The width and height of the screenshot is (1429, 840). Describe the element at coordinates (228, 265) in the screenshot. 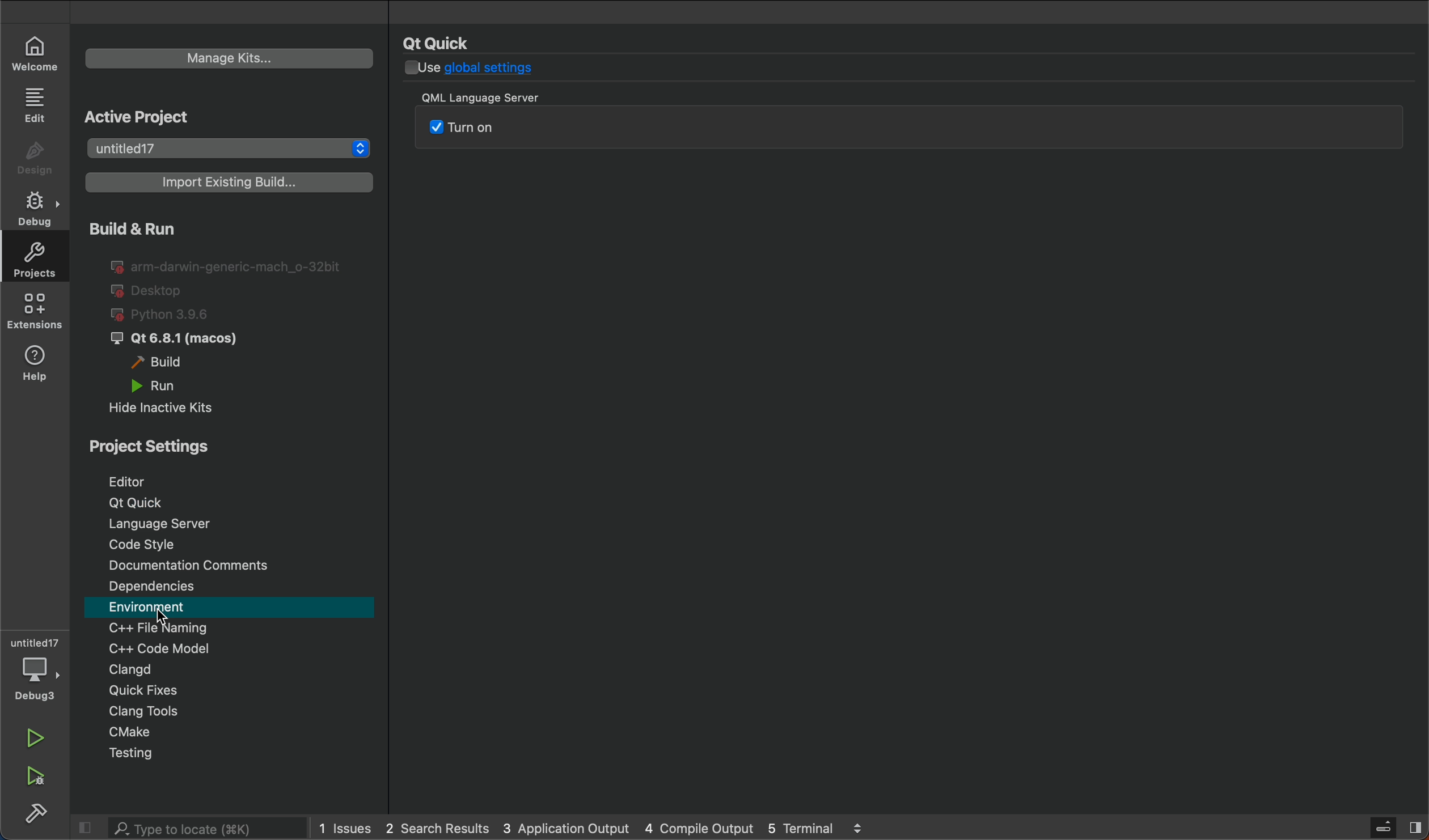

I see `I@ arm-darwin-generic-mach_o-32bit` at that location.